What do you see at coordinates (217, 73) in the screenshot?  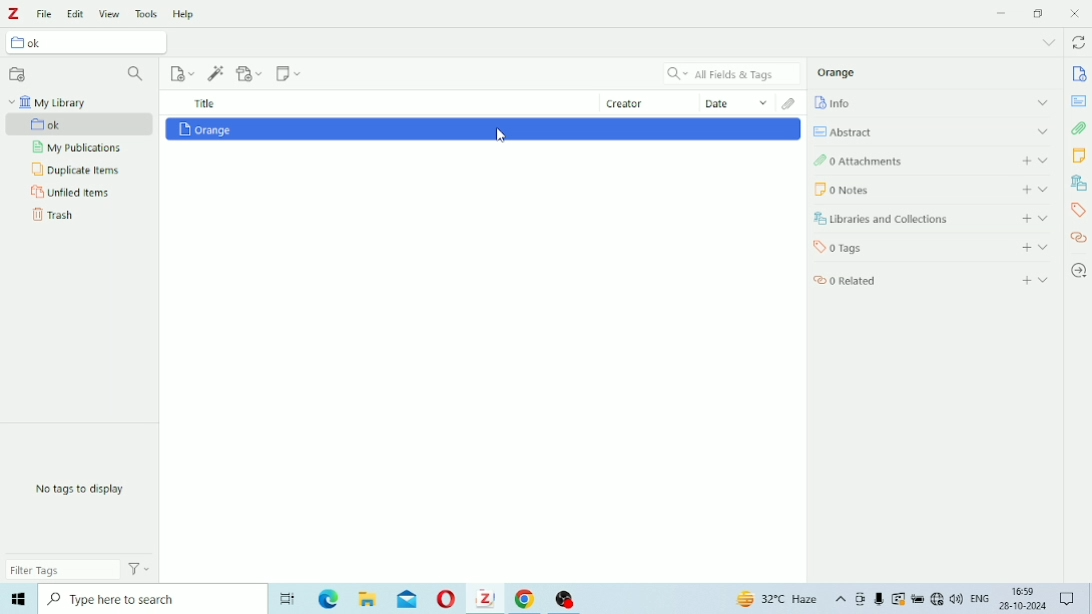 I see `Add Item (s) by Identifier` at bounding box center [217, 73].